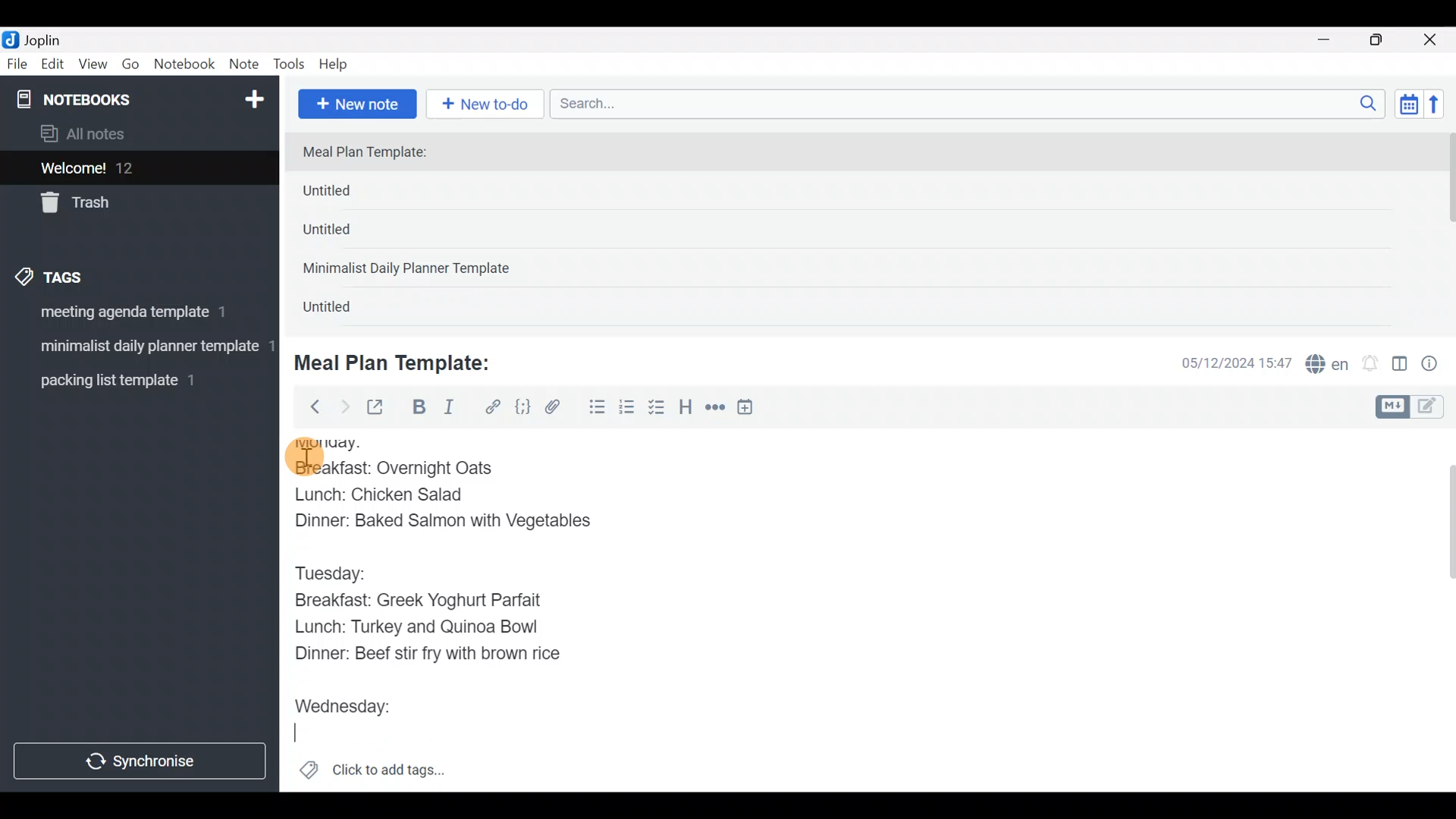 The width and height of the screenshot is (1456, 819). I want to click on Meal Plan Template:, so click(402, 361).